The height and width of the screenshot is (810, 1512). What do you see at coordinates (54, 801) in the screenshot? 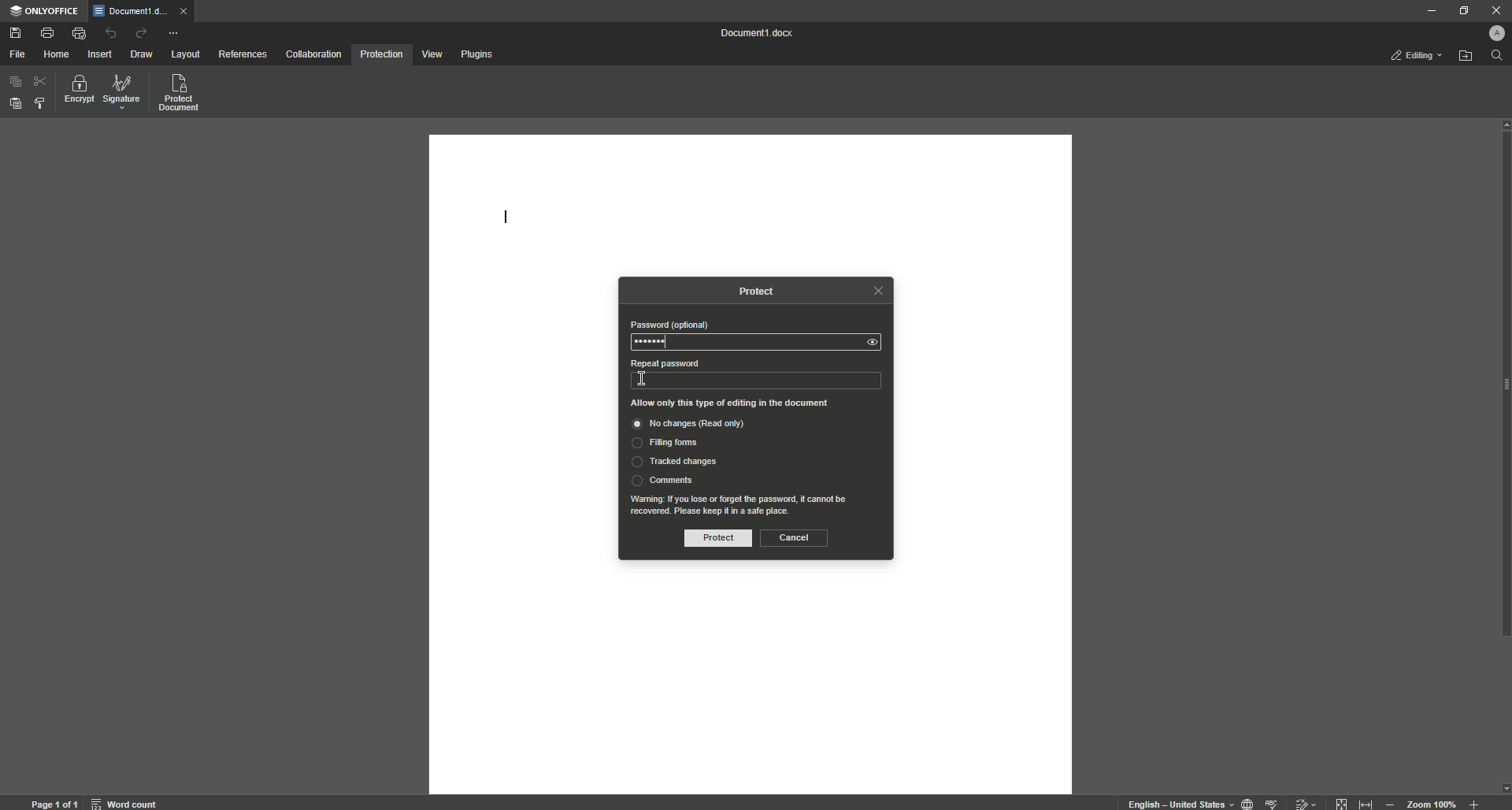
I see `page 1 of 1` at bounding box center [54, 801].